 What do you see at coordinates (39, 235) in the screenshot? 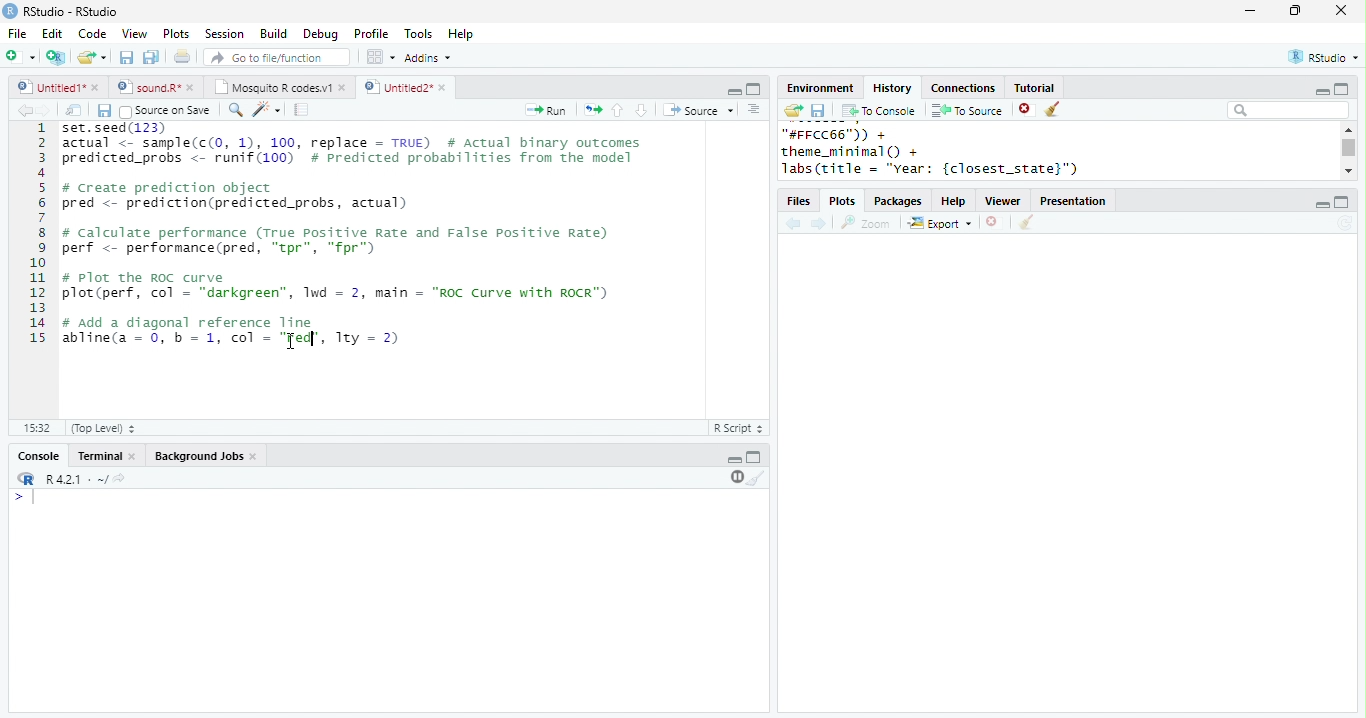
I see `line numbering` at bounding box center [39, 235].